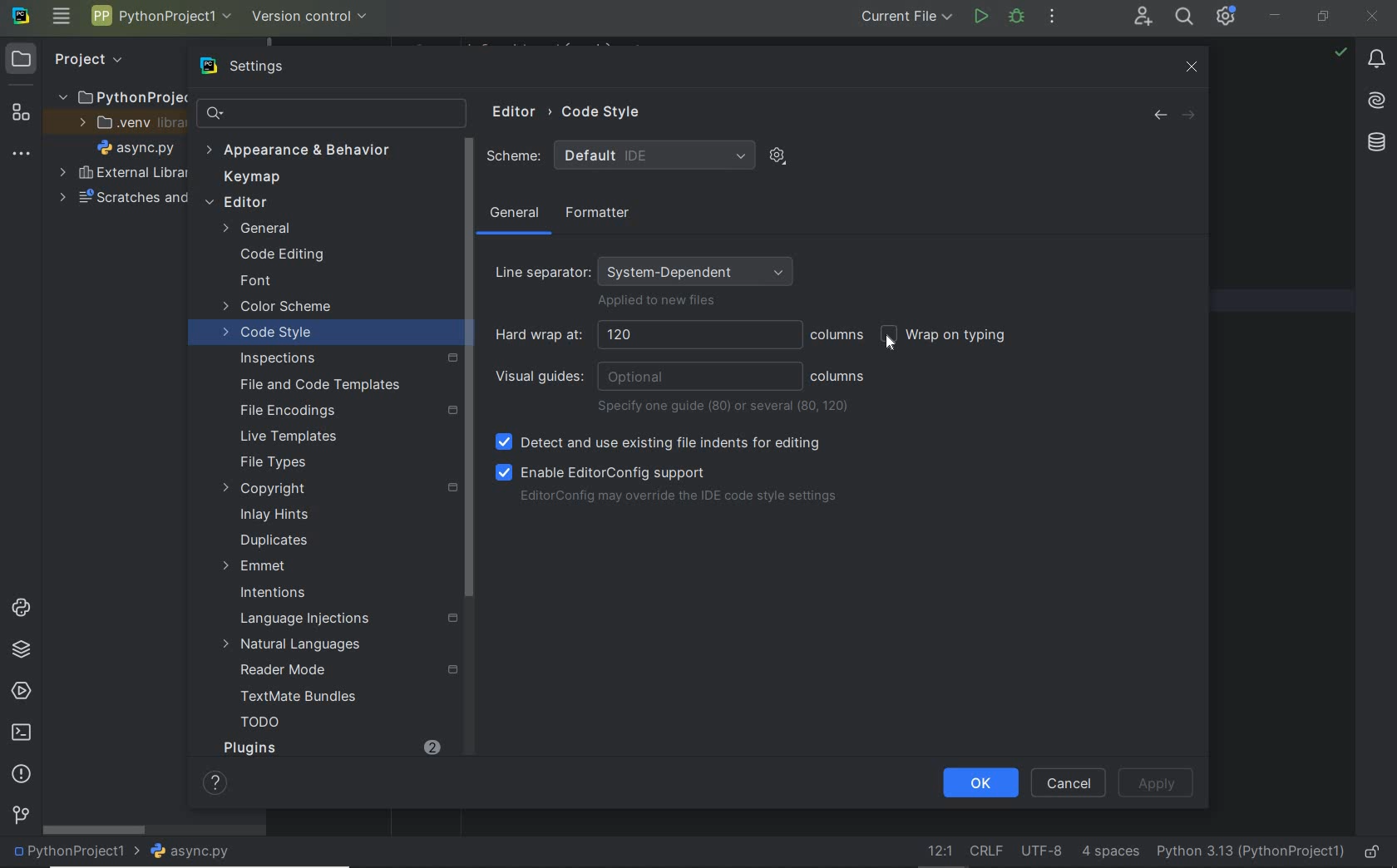 The image size is (1397, 868). What do you see at coordinates (1053, 18) in the screenshot?
I see `more actions` at bounding box center [1053, 18].